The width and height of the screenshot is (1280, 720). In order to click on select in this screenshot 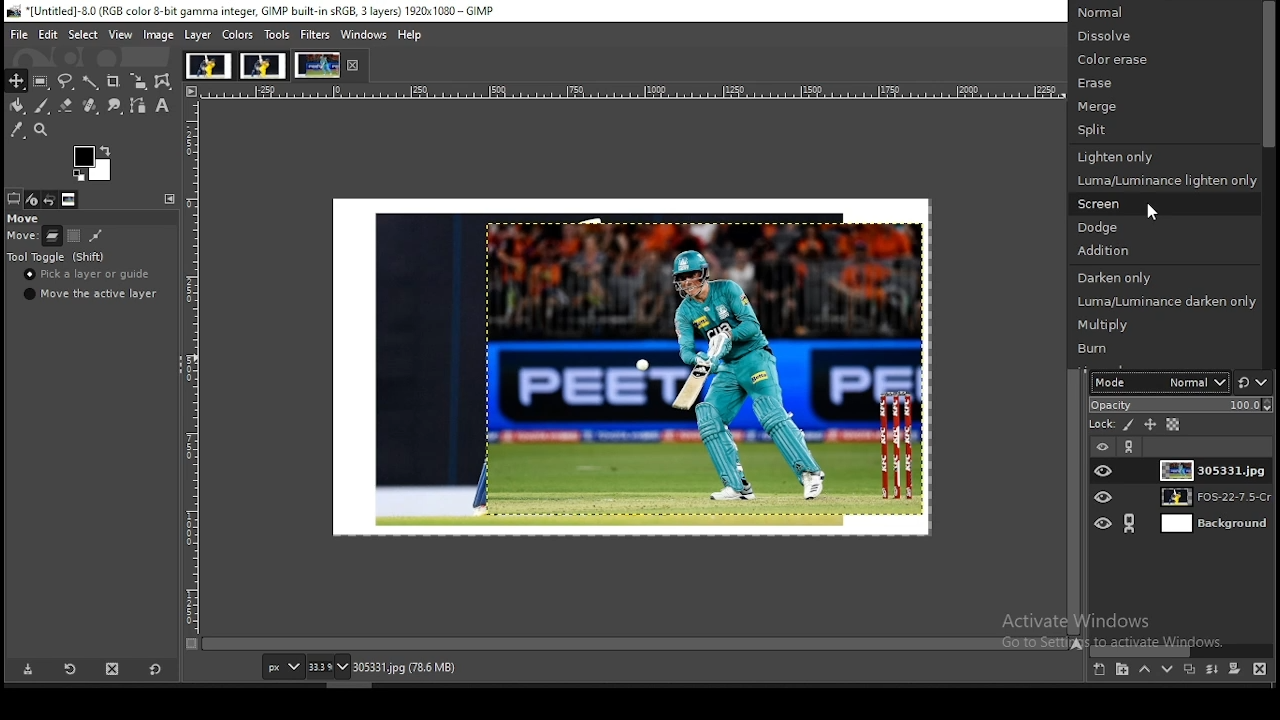, I will do `click(84, 35)`.